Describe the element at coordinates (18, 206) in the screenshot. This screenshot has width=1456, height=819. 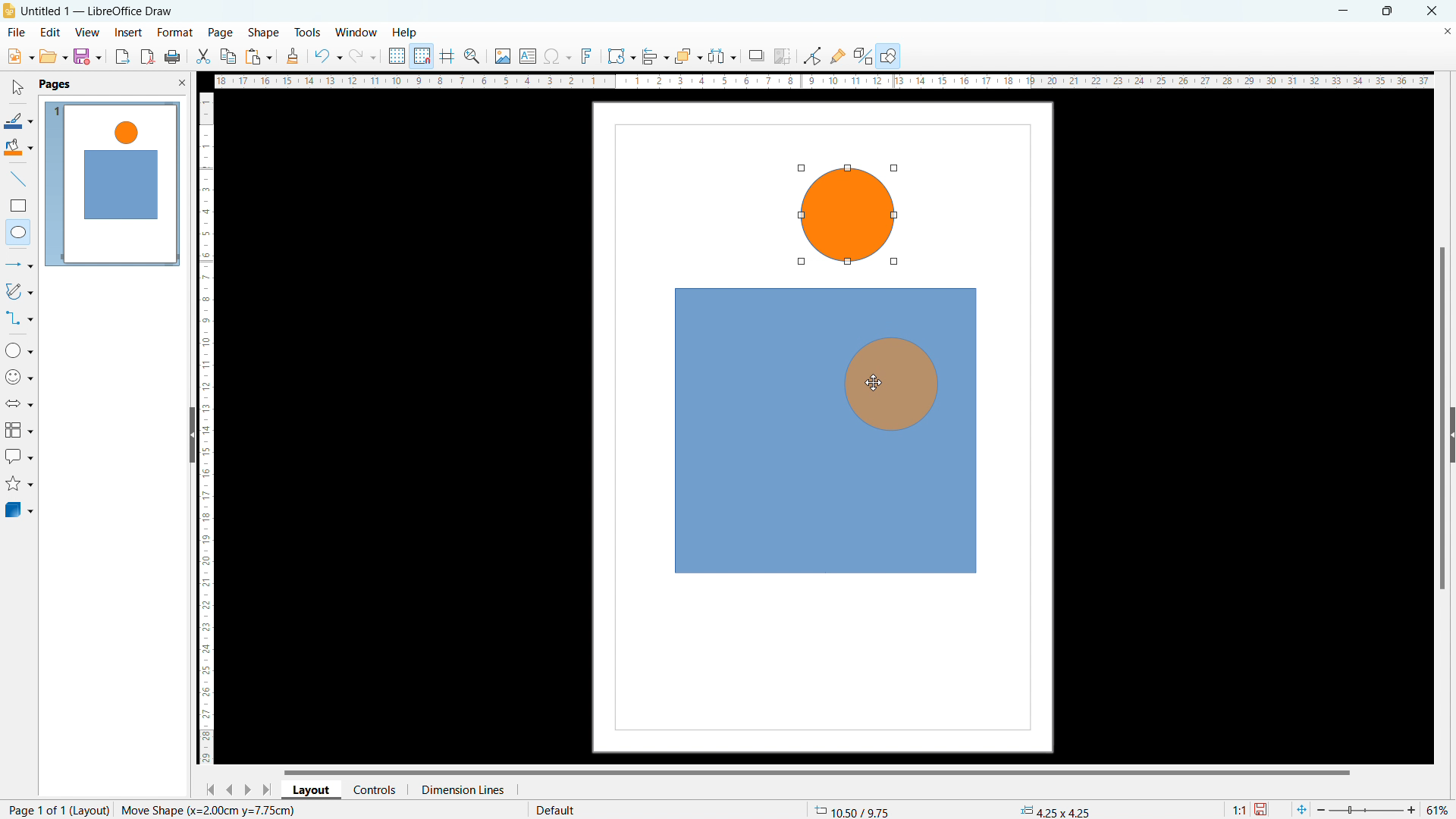
I see `rectangle` at that location.